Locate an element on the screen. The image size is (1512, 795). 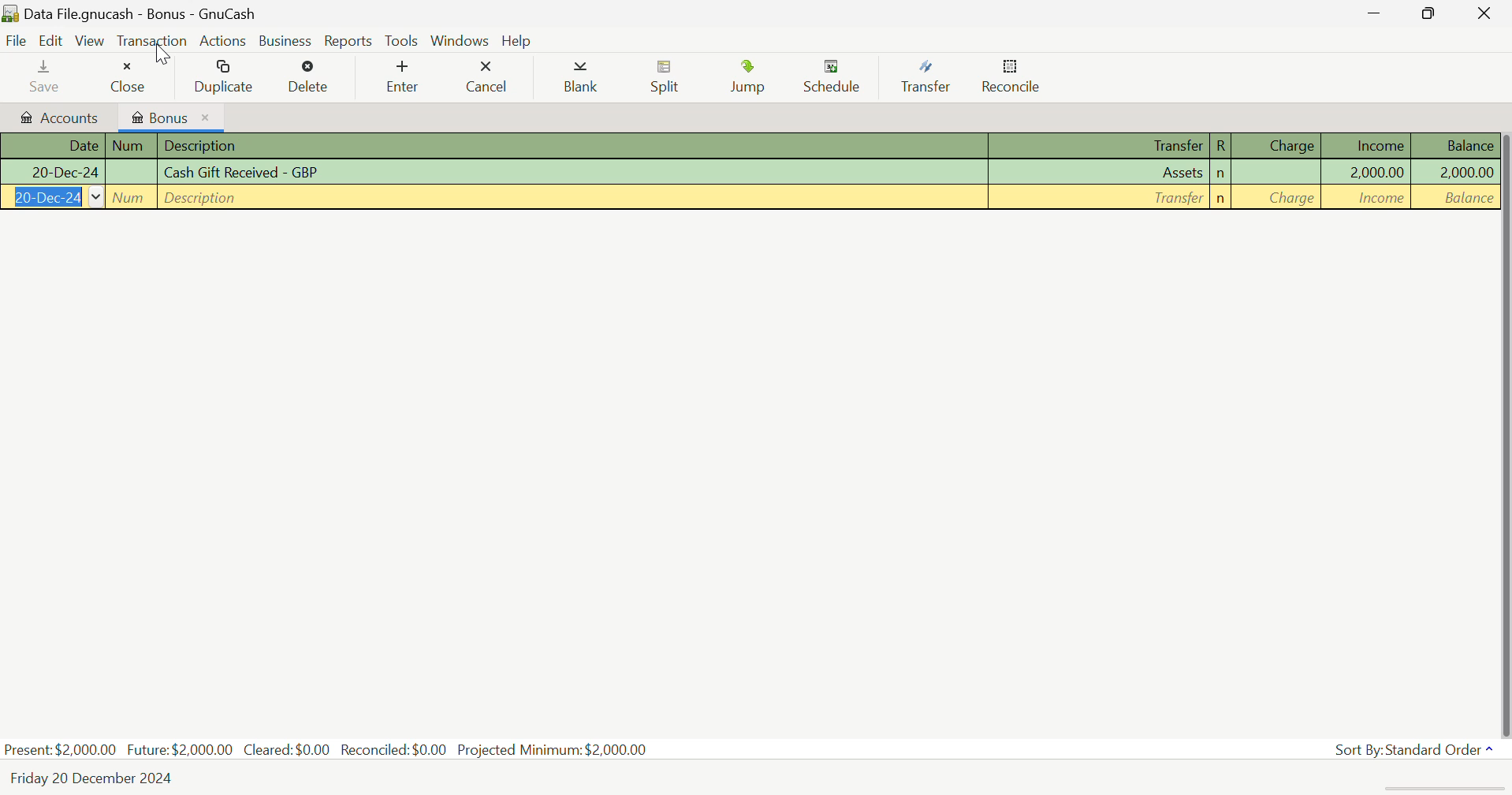
Projected Minimum is located at coordinates (556, 748).